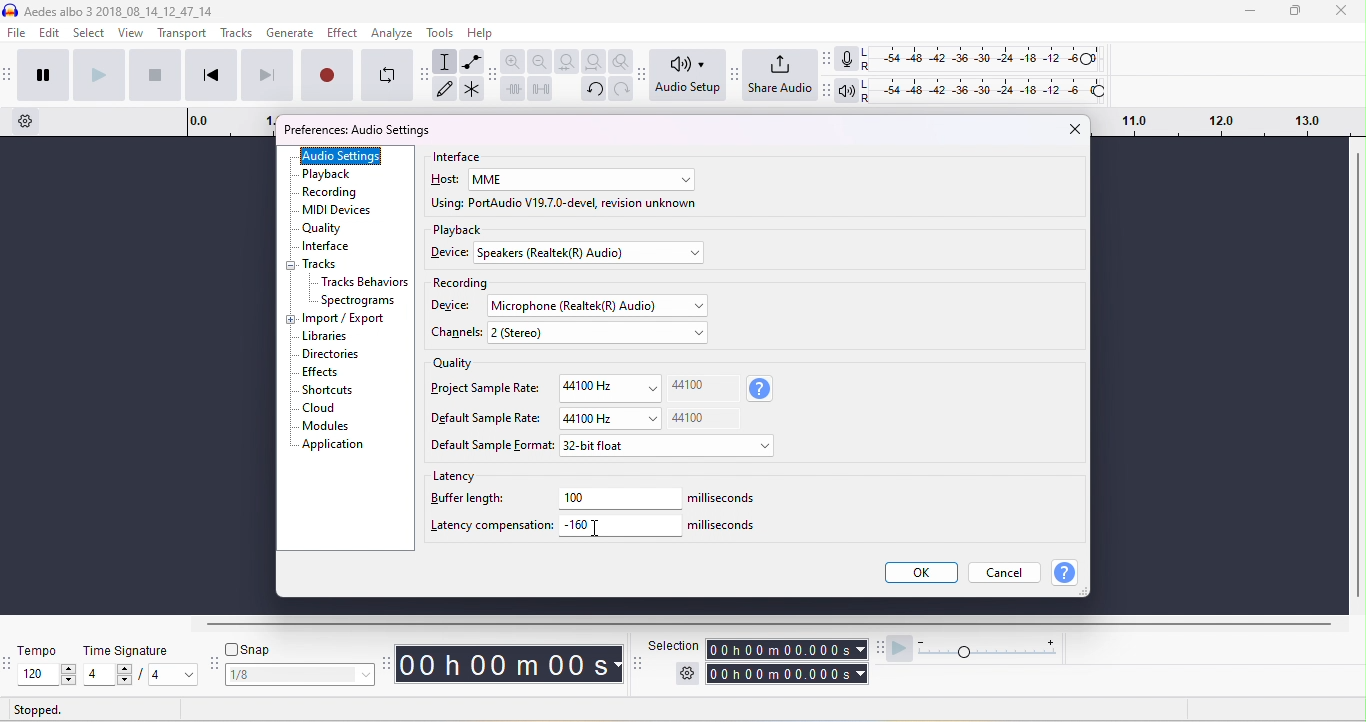 This screenshot has width=1366, height=722. What do you see at coordinates (322, 372) in the screenshot?
I see `effects` at bounding box center [322, 372].